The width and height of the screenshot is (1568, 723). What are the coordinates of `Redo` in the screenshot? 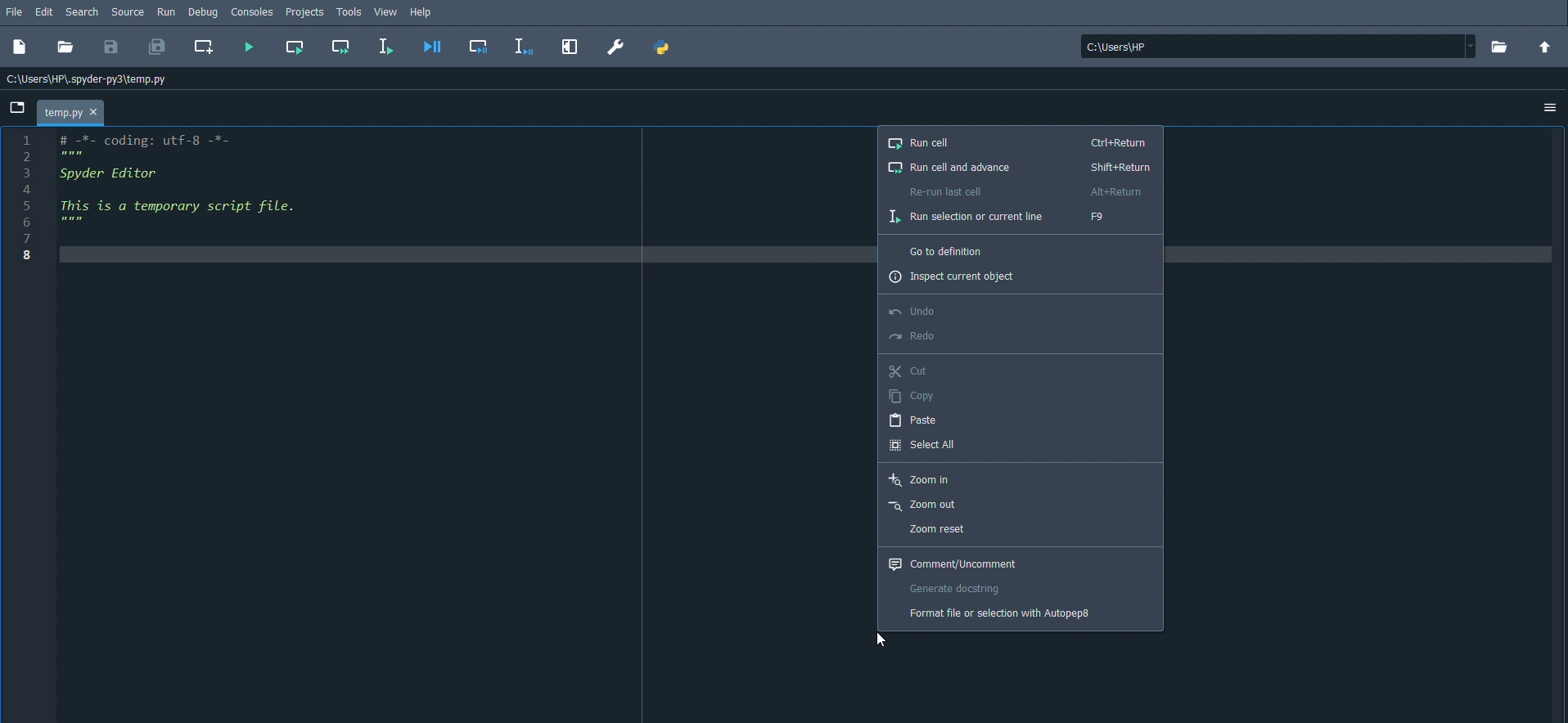 It's located at (914, 333).